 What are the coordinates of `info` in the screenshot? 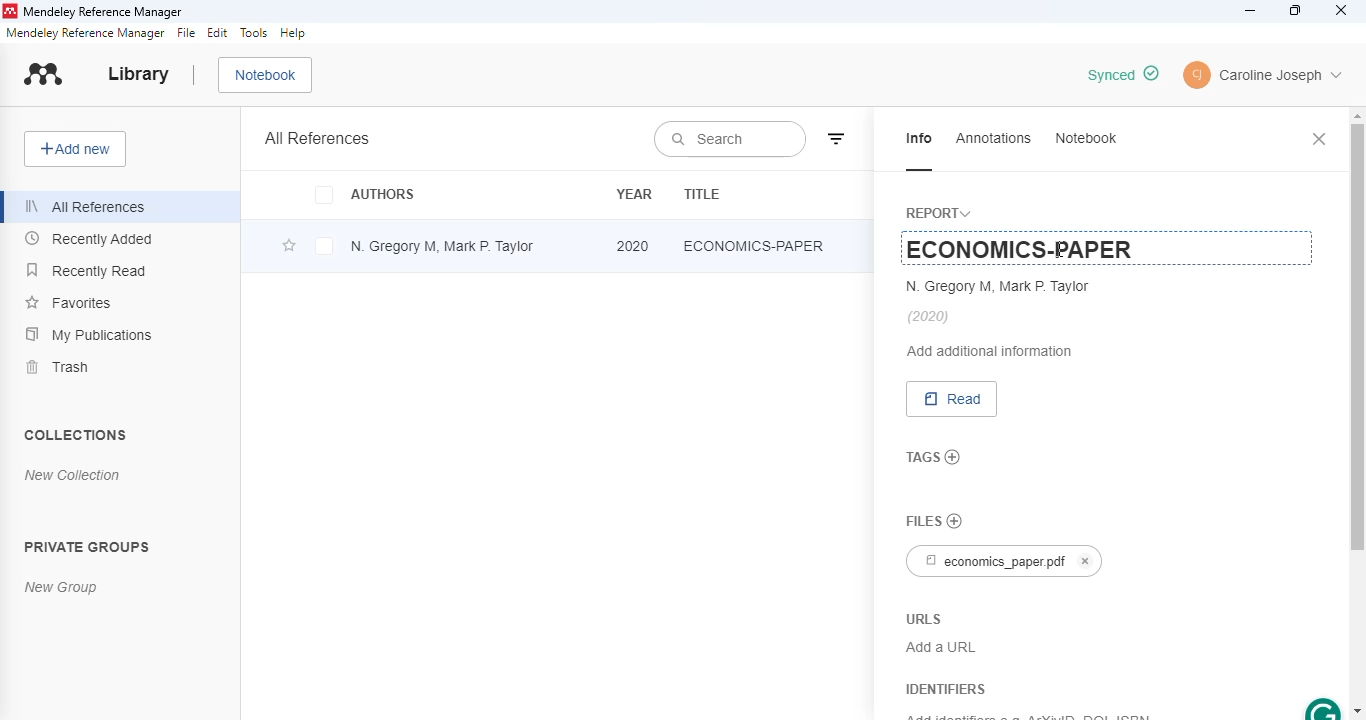 It's located at (920, 140).